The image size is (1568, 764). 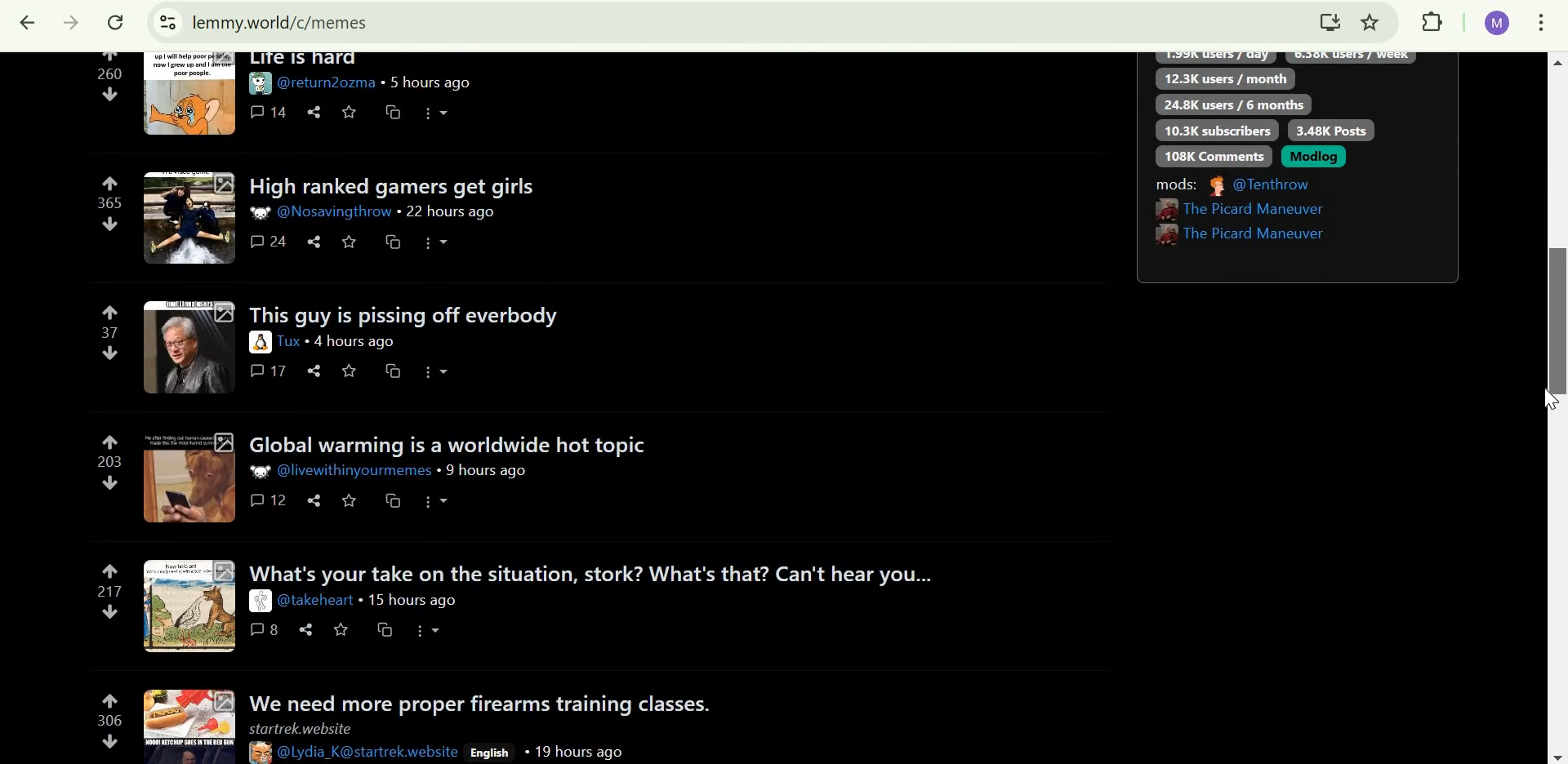 What do you see at coordinates (425, 82) in the screenshot?
I see `5 hours ago` at bounding box center [425, 82].